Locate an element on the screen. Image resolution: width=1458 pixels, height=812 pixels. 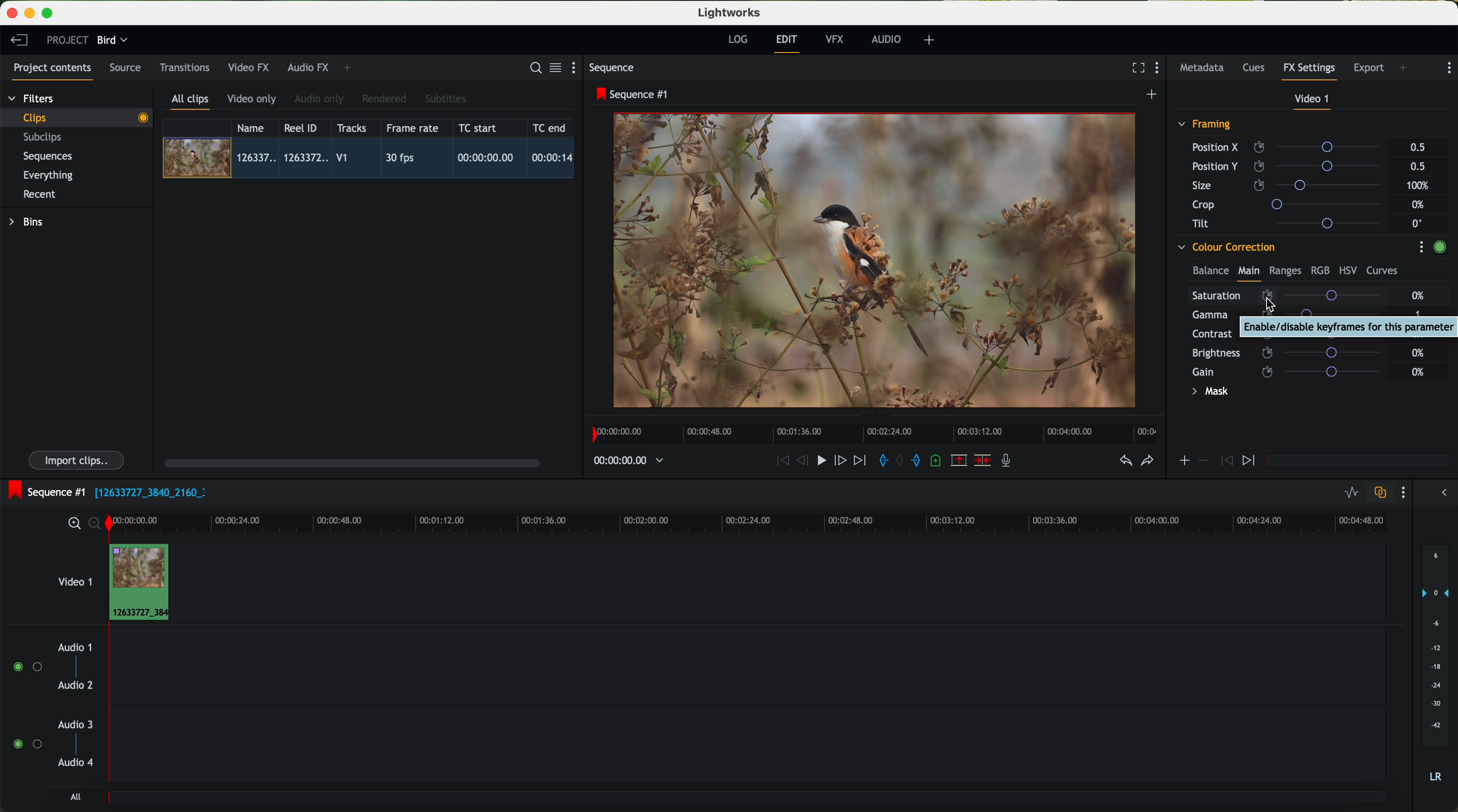
fullscreen is located at coordinates (1136, 67).